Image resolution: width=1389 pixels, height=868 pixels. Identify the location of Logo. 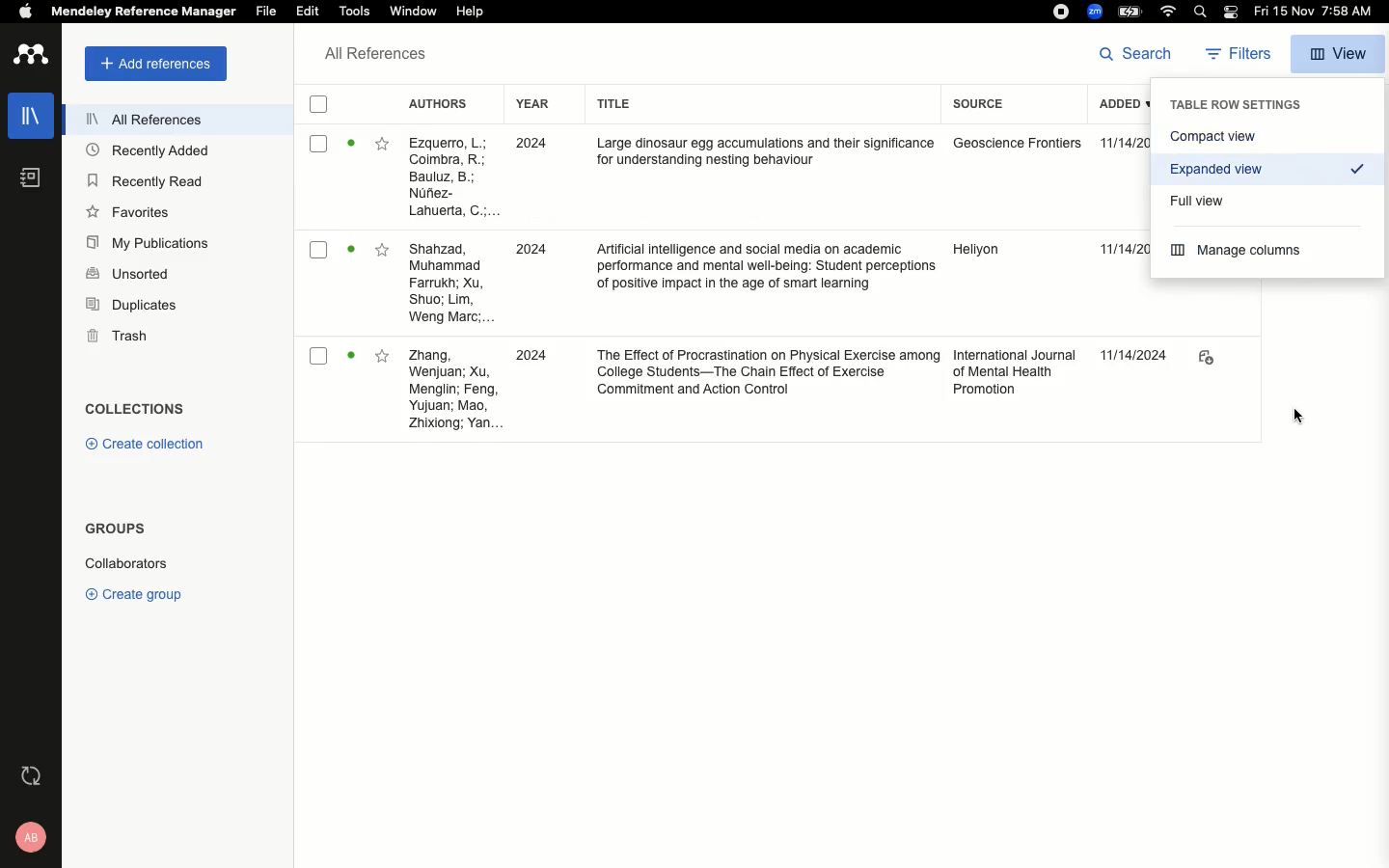
(30, 56).